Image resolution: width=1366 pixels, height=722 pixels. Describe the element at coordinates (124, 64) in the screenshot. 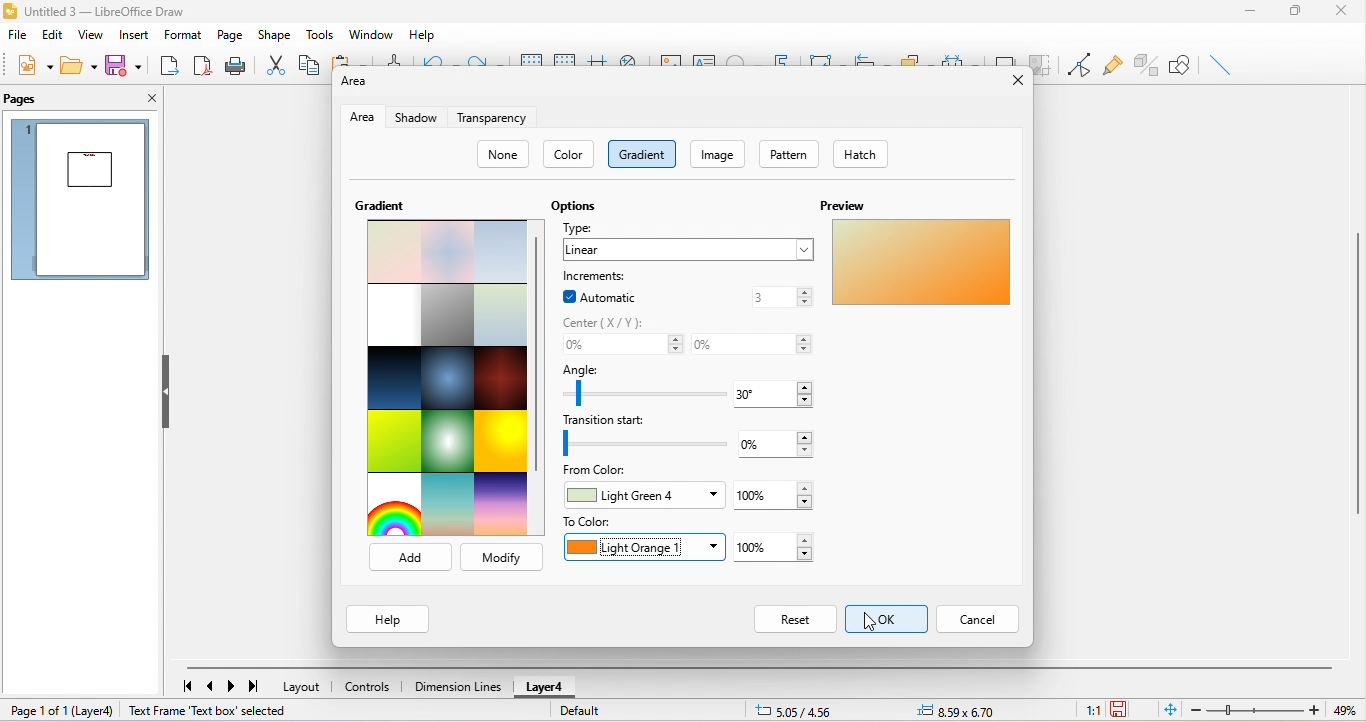

I see `save` at that location.